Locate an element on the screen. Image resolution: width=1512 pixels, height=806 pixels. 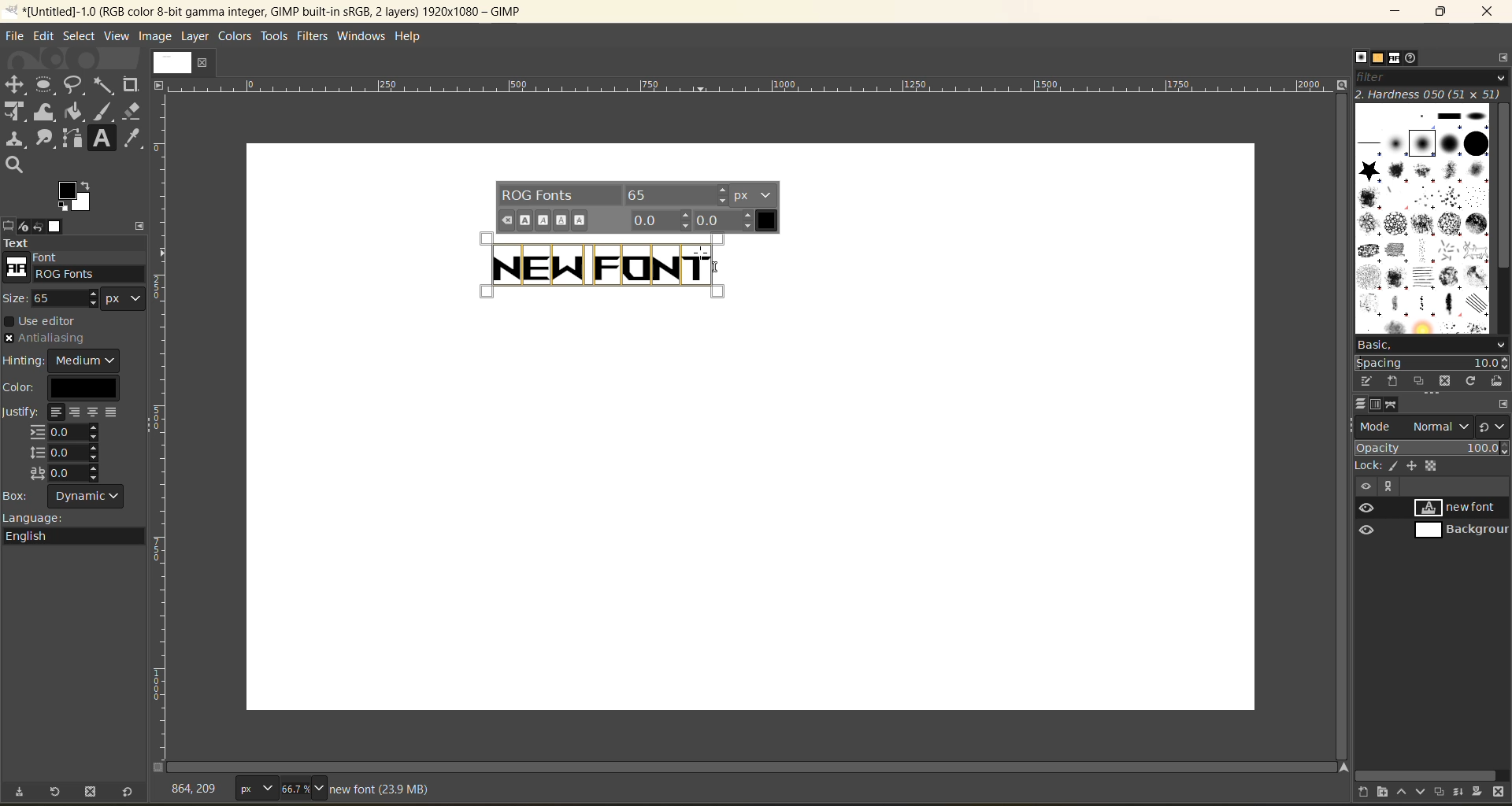
text is located at coordinates (73, 242).